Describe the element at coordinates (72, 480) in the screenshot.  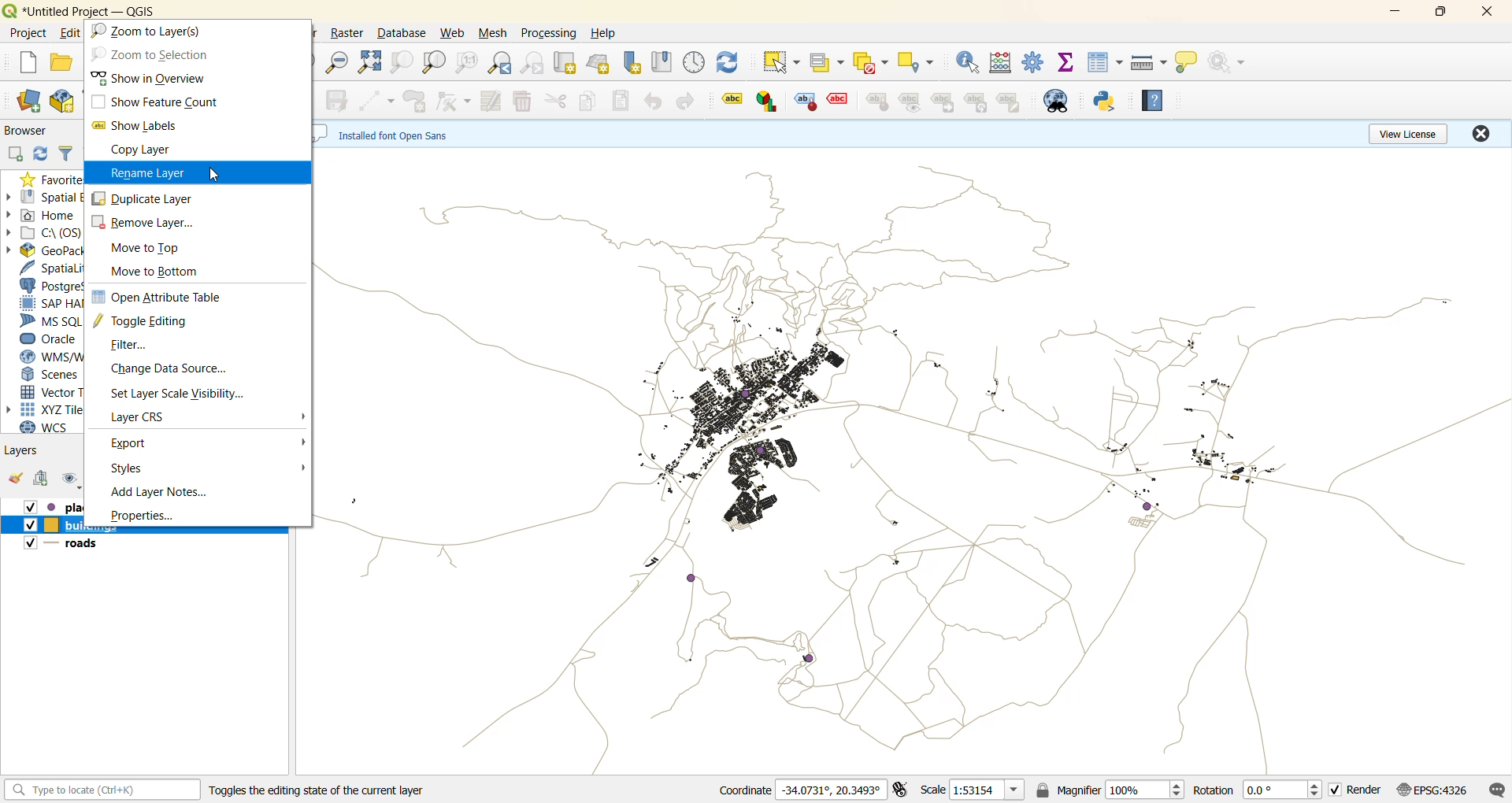
I see `manage map` at that location.